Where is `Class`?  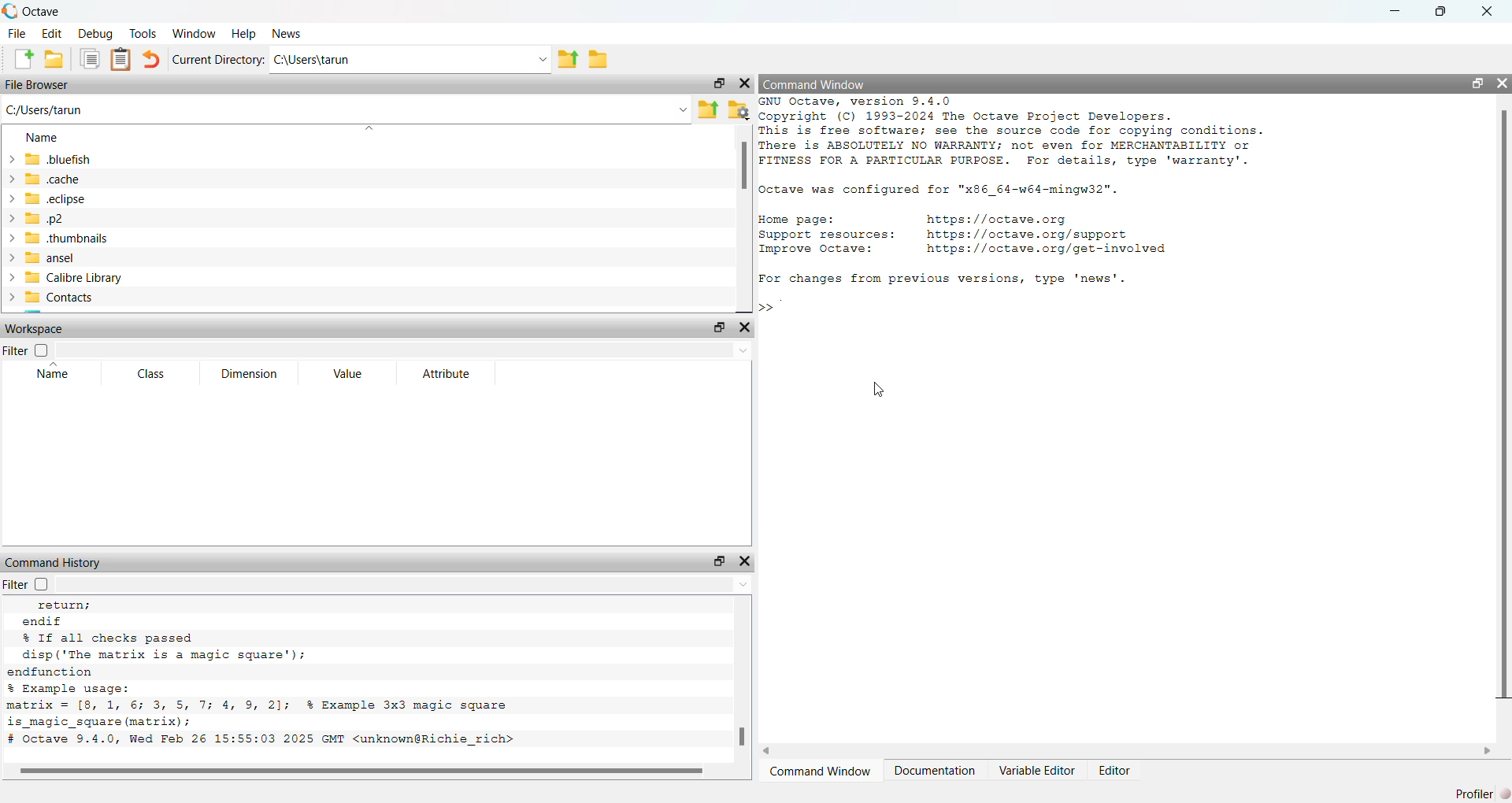 Class is located at coordinates (152, 375).